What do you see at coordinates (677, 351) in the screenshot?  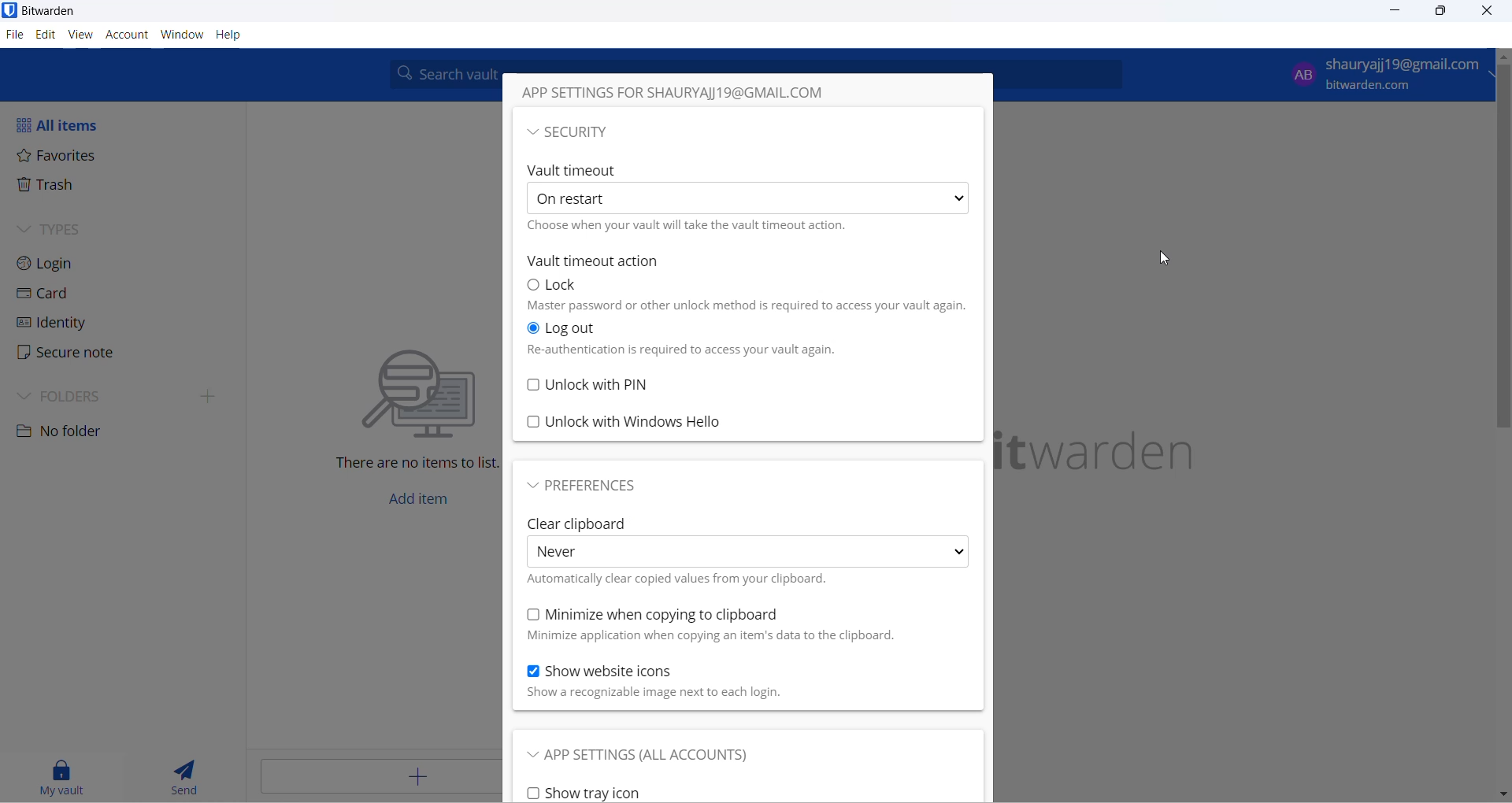 I see `text` at bounding box center [677, 351].